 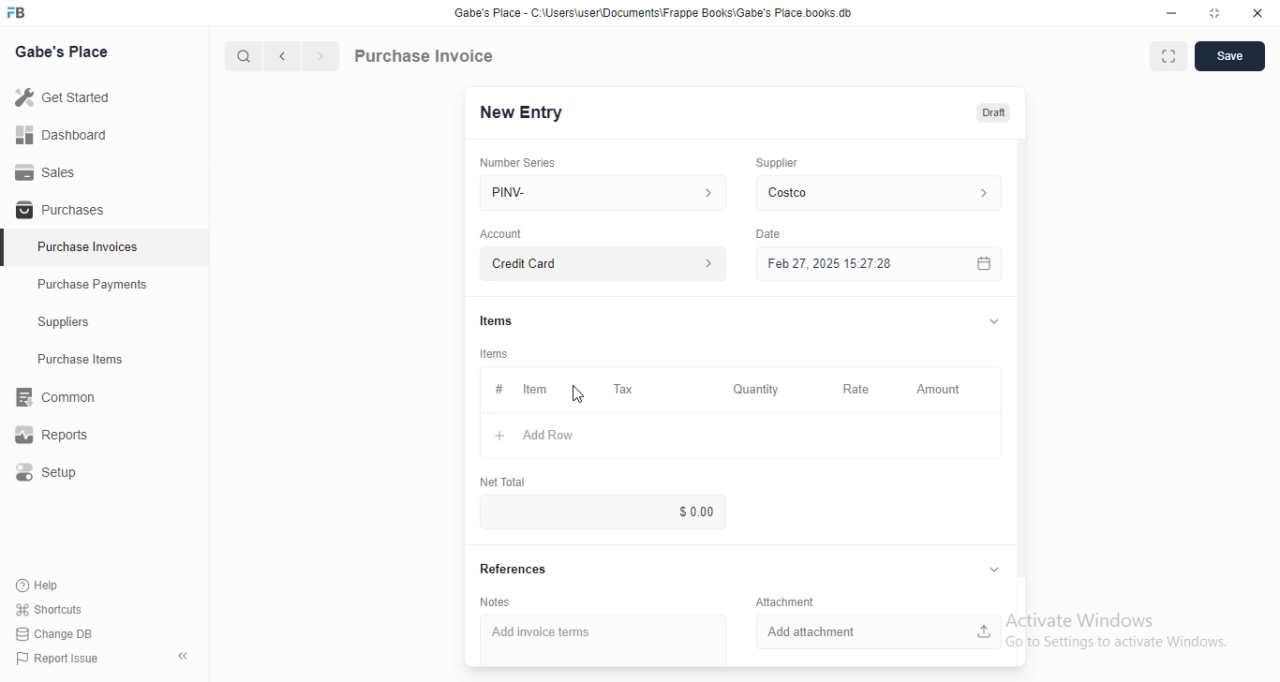 What do you see at coordinates (61, 51) in the screenshot?
I see `Gabe's Place` at bounding box center [61, 51].